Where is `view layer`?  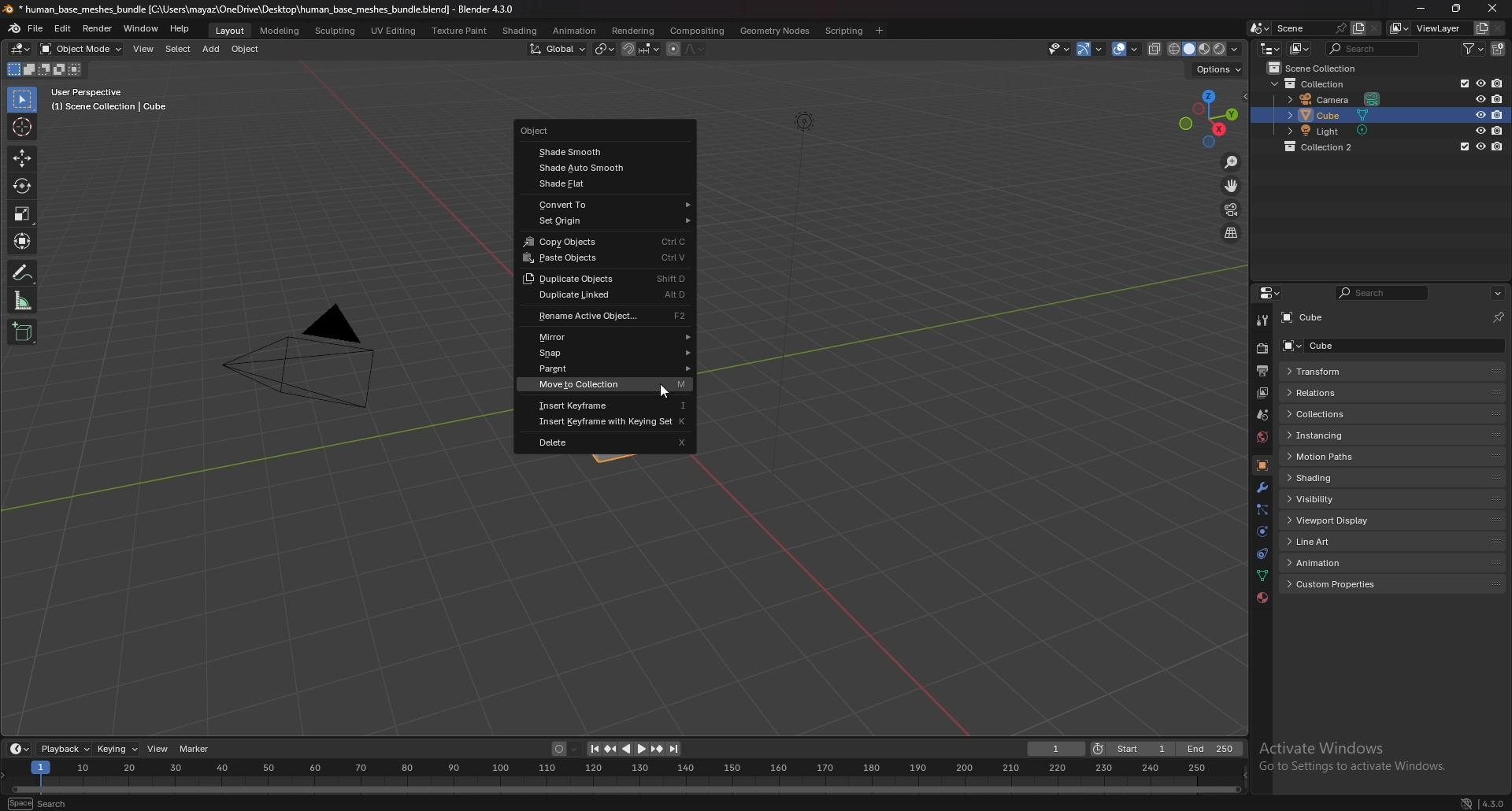 view layer is located at coordinates (1262, 393).